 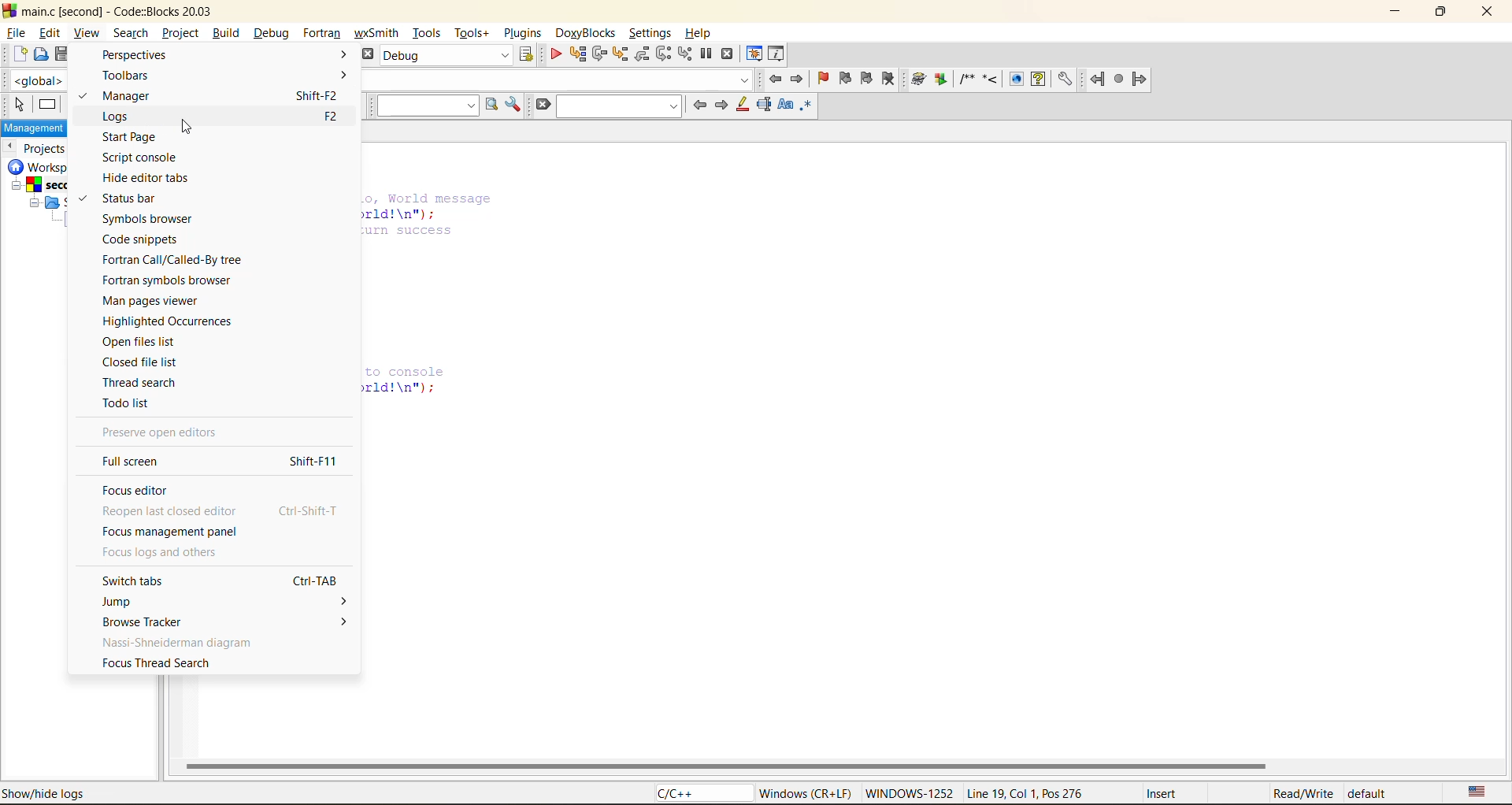 What do you see at coordinates (177, 641) in the screenshot?
I see `nassi shneiderman diagram` at bounding box center [177, 641].